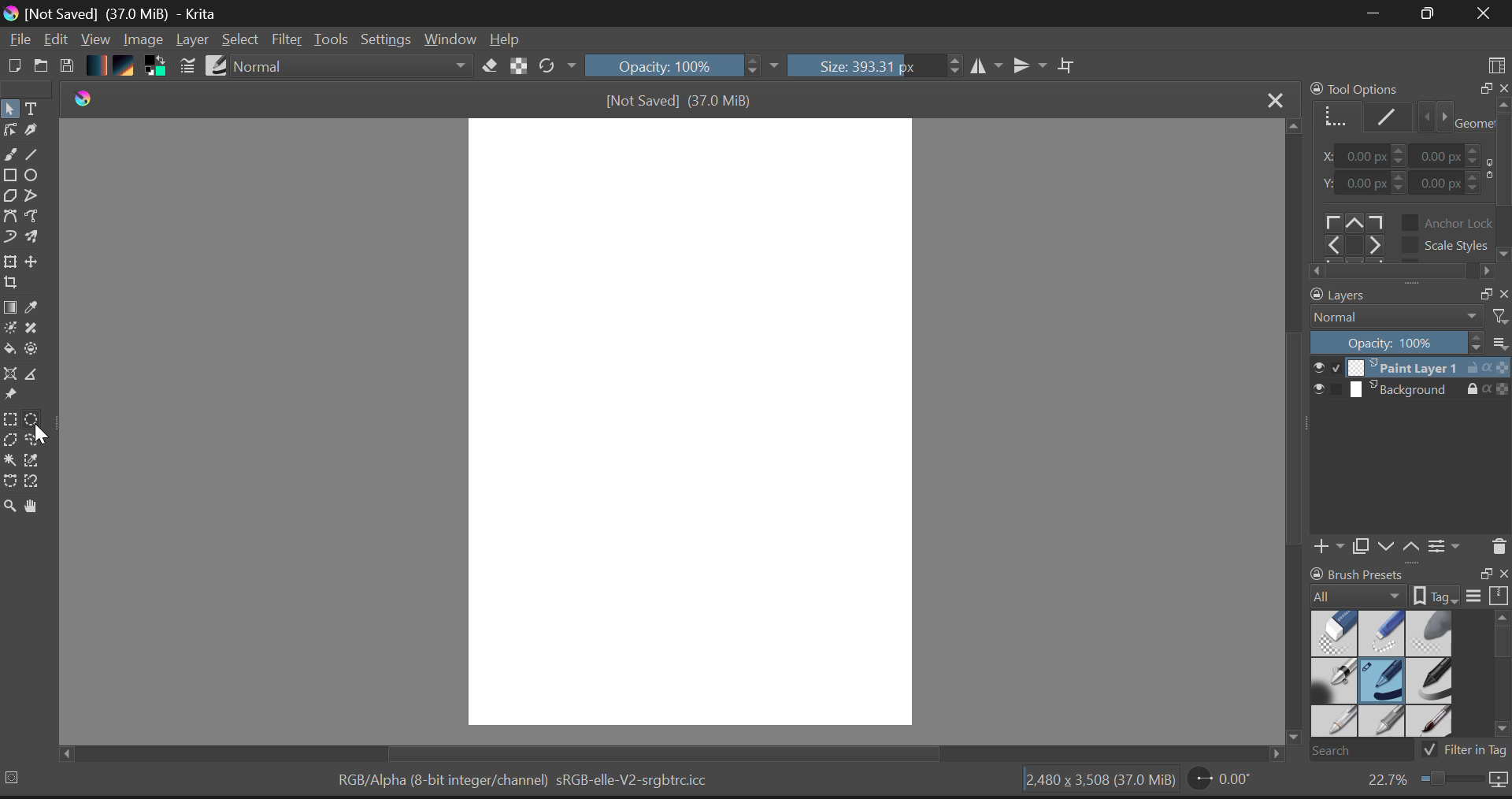 Image resolution: width=1512 pixels, height=799 pixels. Describe the element at coordinates (98, 66) in the screenshot. I see `Gradient` at that location.